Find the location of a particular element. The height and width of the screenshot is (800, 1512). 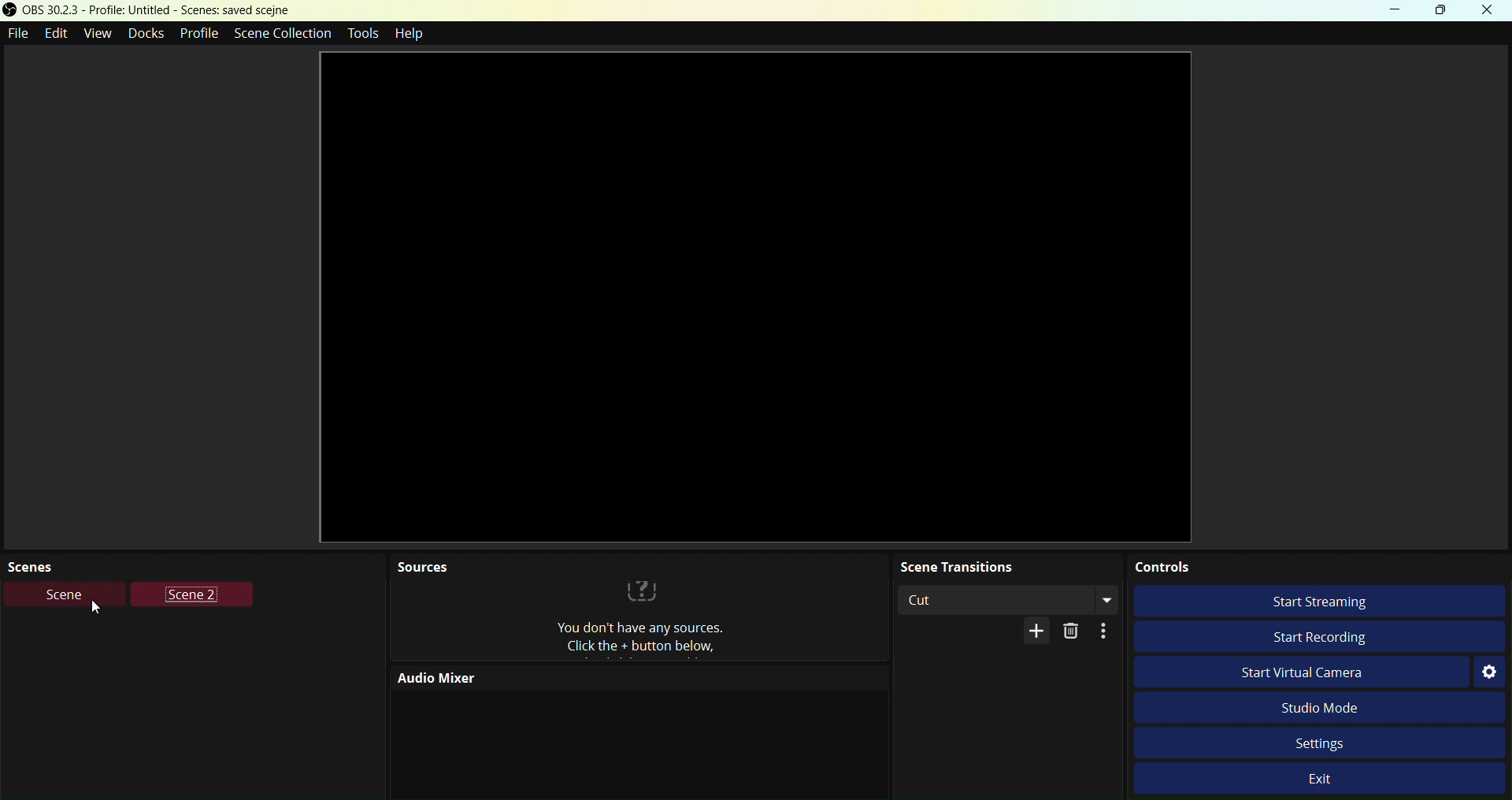

Profile is located at coordinates (199, 35).